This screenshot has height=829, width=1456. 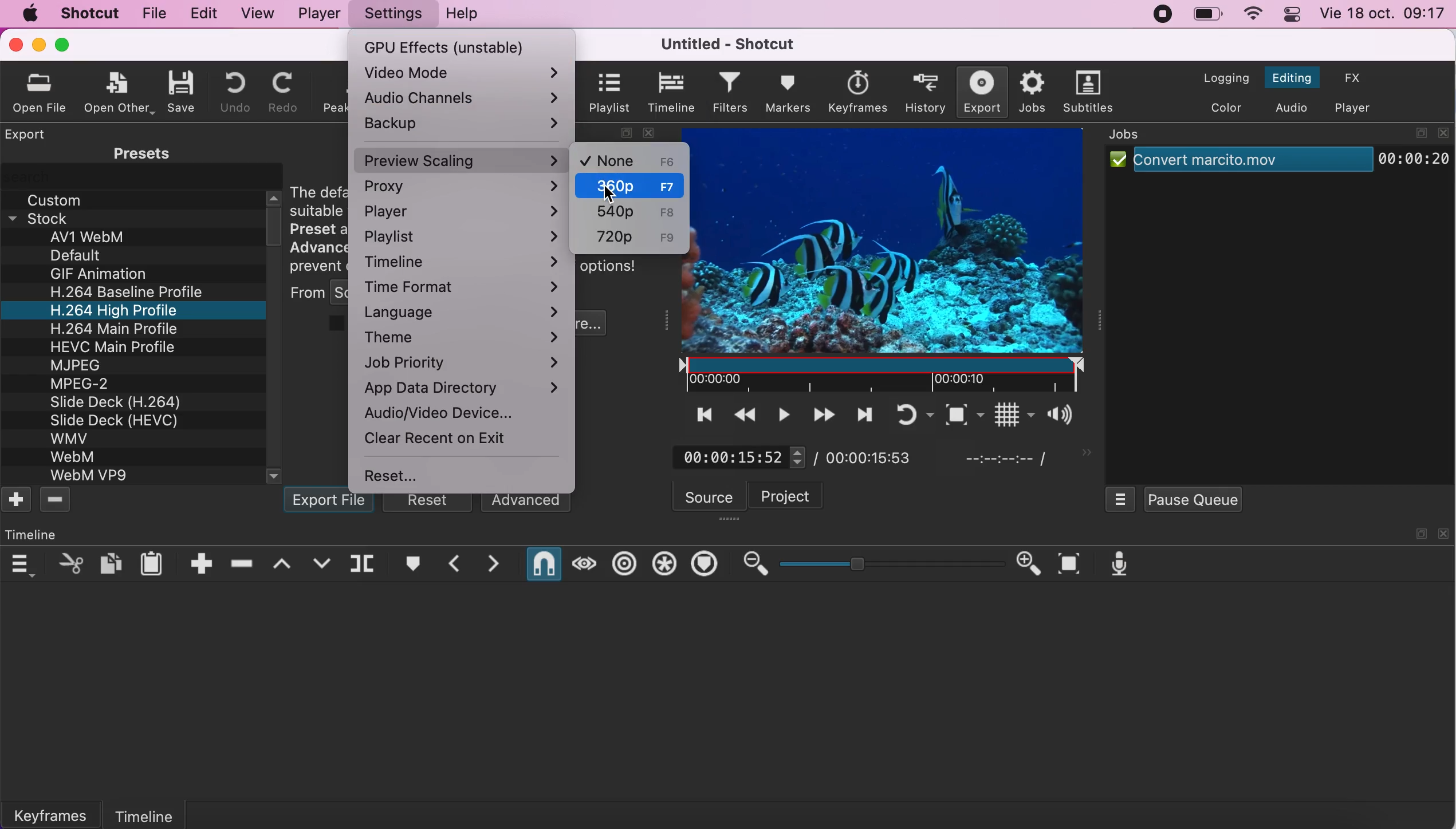 I want to click on Slide Deck (HEVC), so click(x=121, y=420).